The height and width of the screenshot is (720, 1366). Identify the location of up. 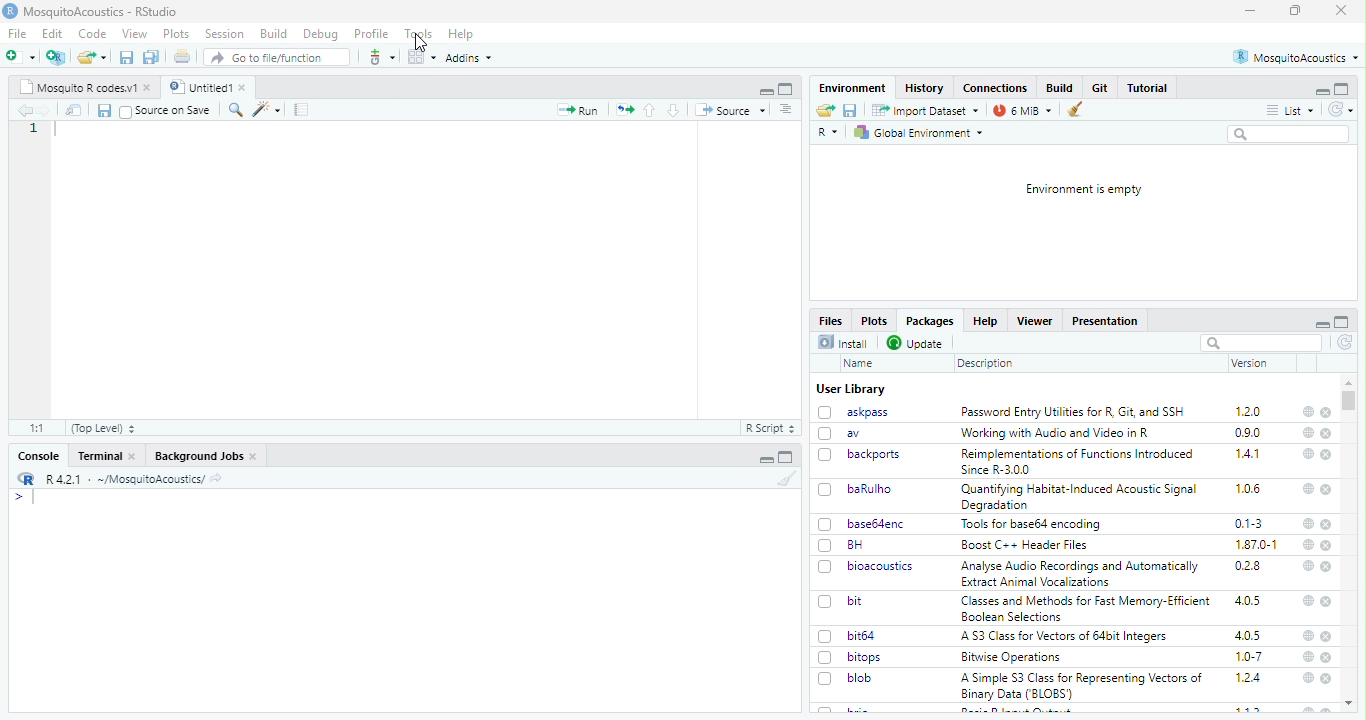
(651, 110).